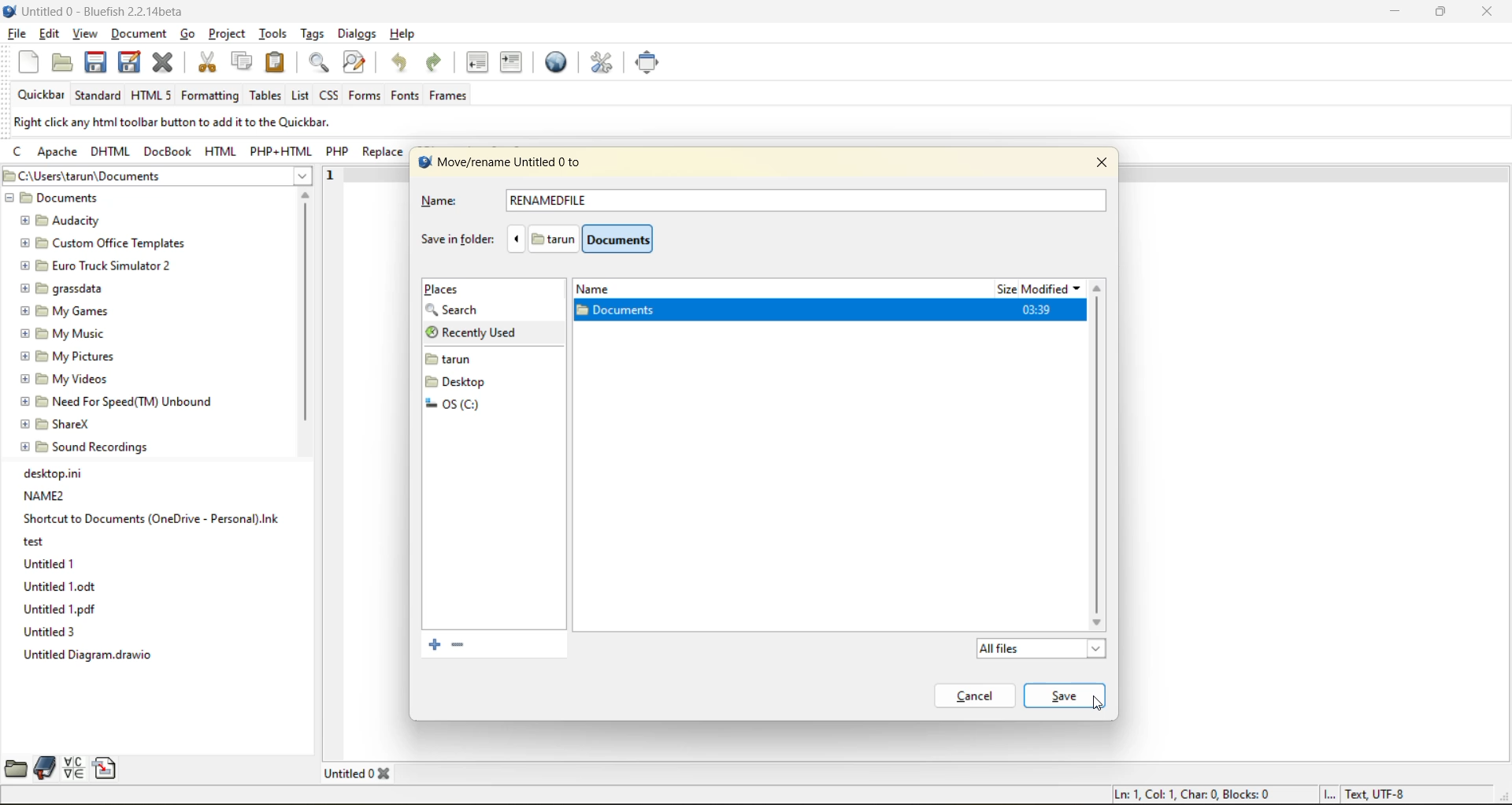 Image resolution: width=1512 pixels, height=805 pixels. I want to click on close, so click(1100, 165).